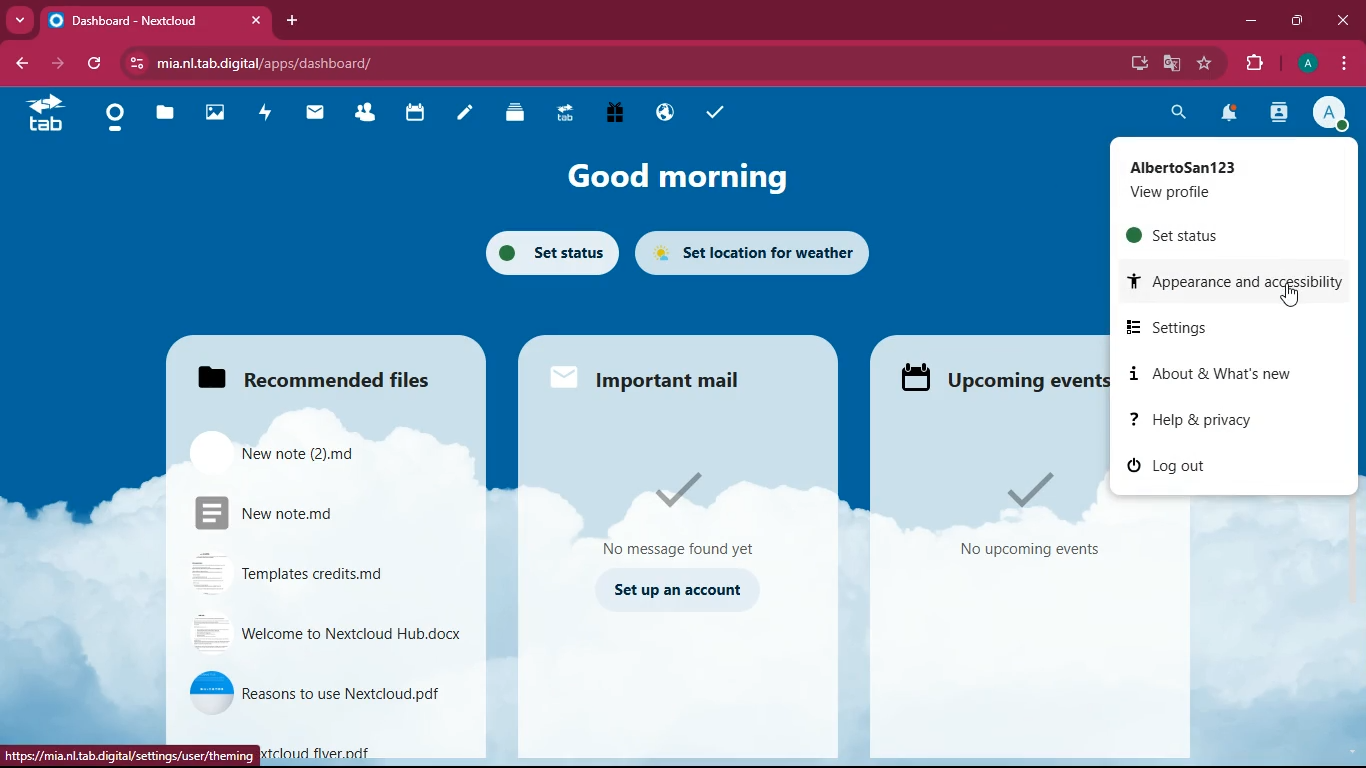  What do you see at coordinates (663, 112) in the screenshot?
I see `public` at bounding box center [663, 112].